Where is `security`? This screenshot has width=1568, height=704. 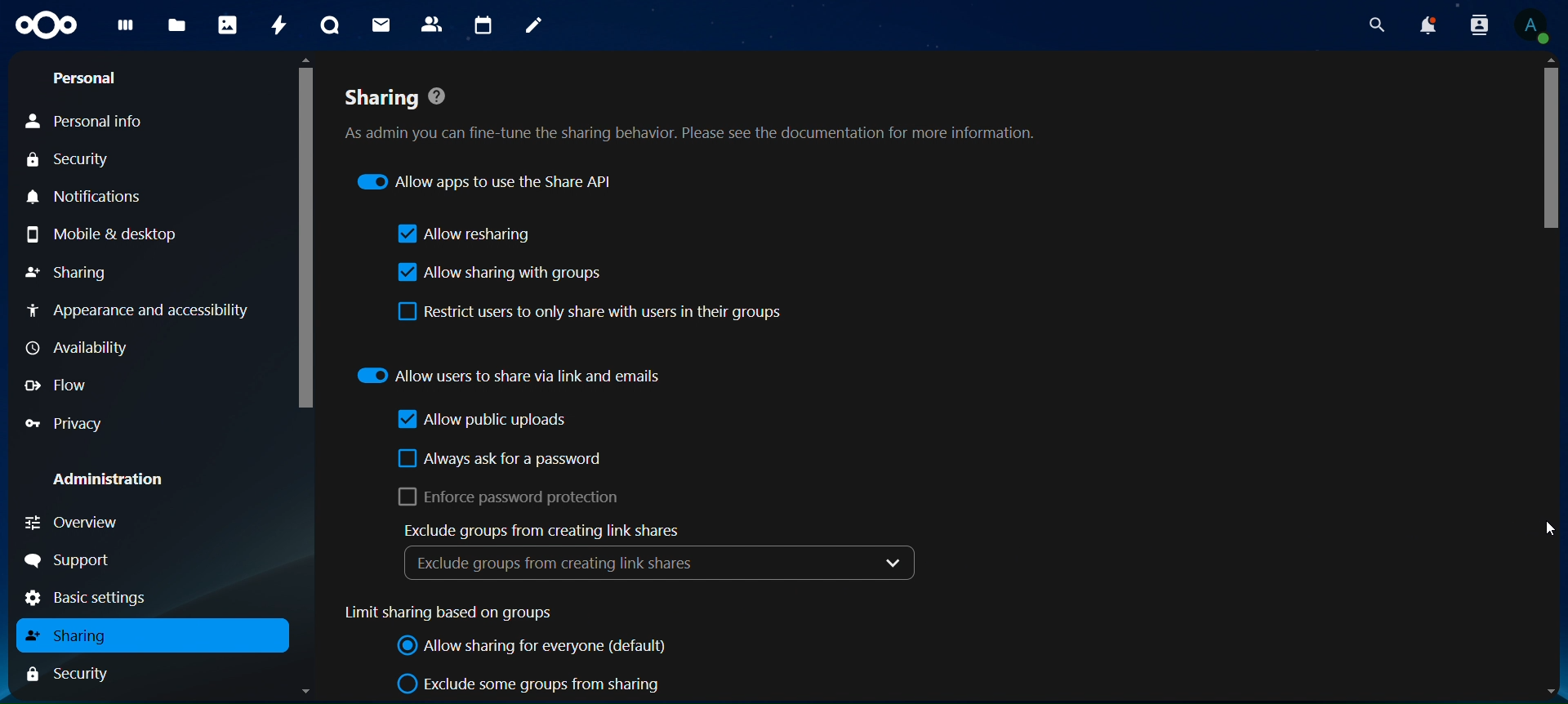 security is located at coordinates (69, 160).